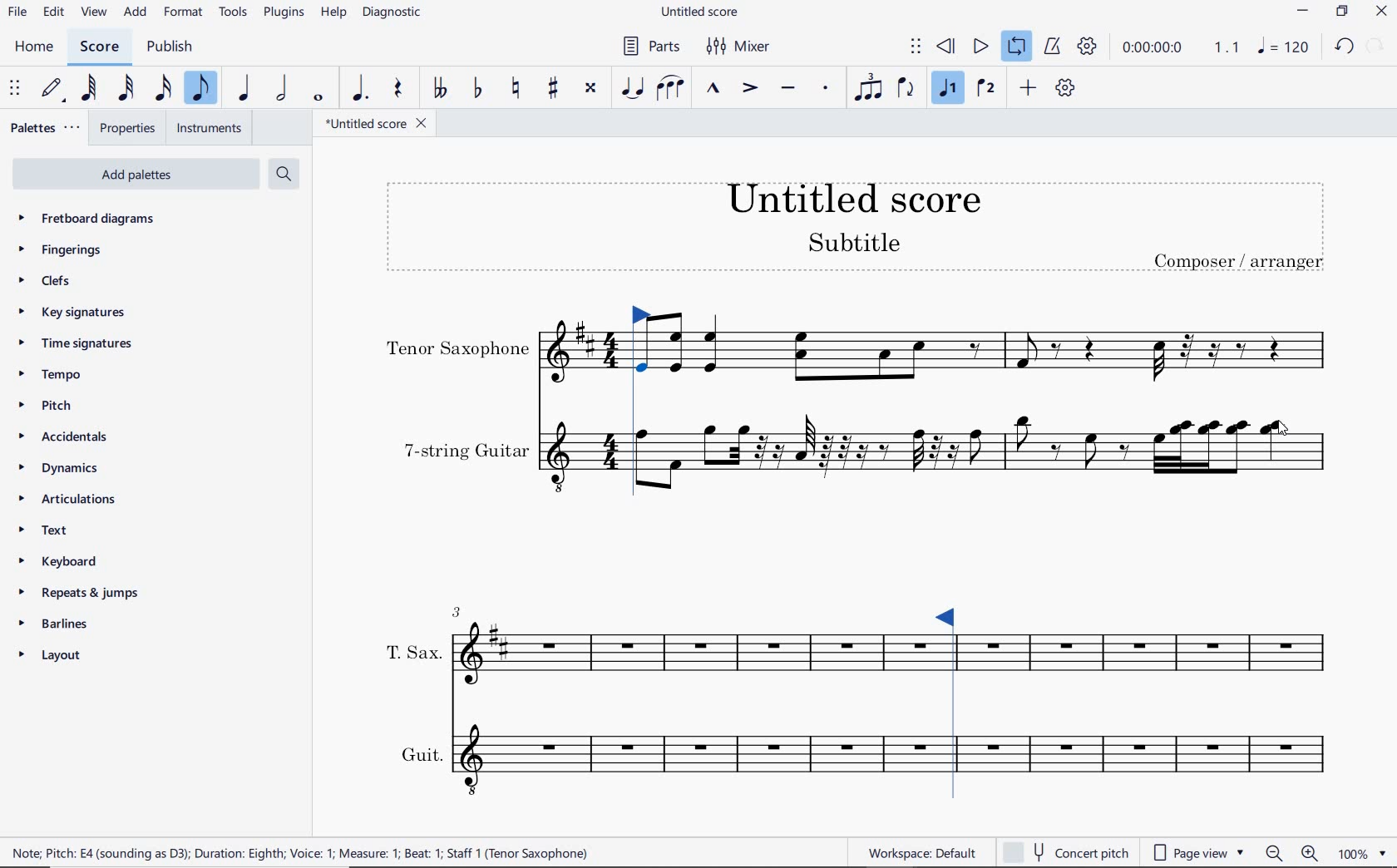  I want to click on 64TH NOTE, so click(88, 87).